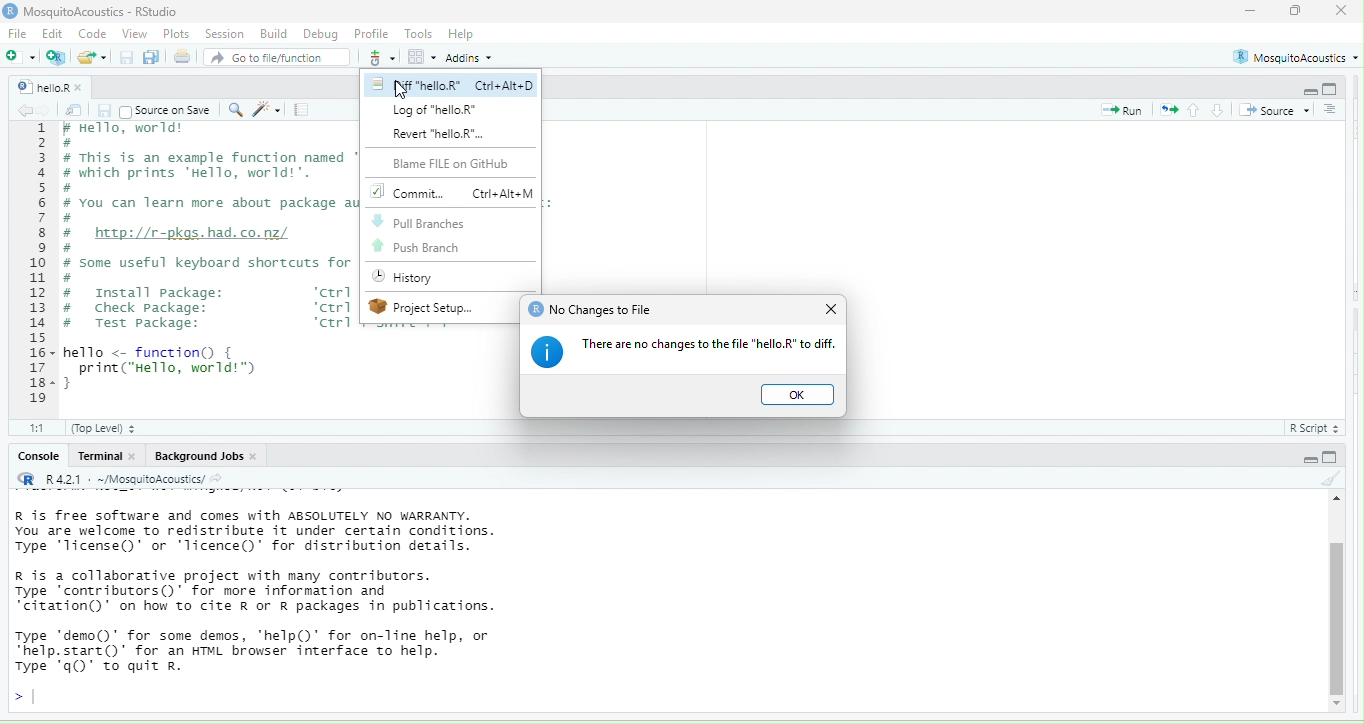 This screenshot has height=724, width=1364. Describe the element at coordinates (1298, 11) in the screenshot. I see `maximize` at that location.